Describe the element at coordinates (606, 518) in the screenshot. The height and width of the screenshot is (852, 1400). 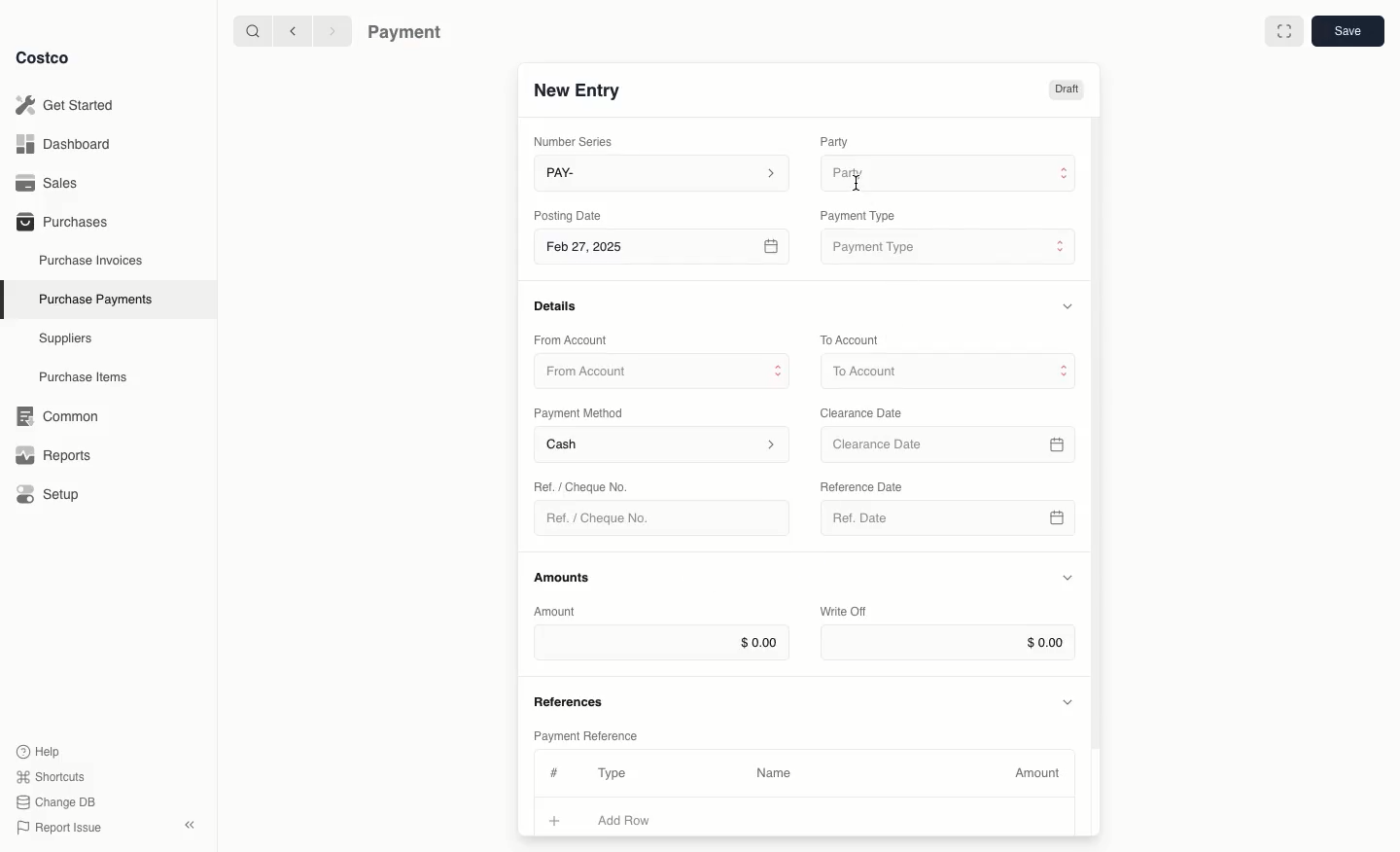
I see `Ref. / Cheque No.` at that location.